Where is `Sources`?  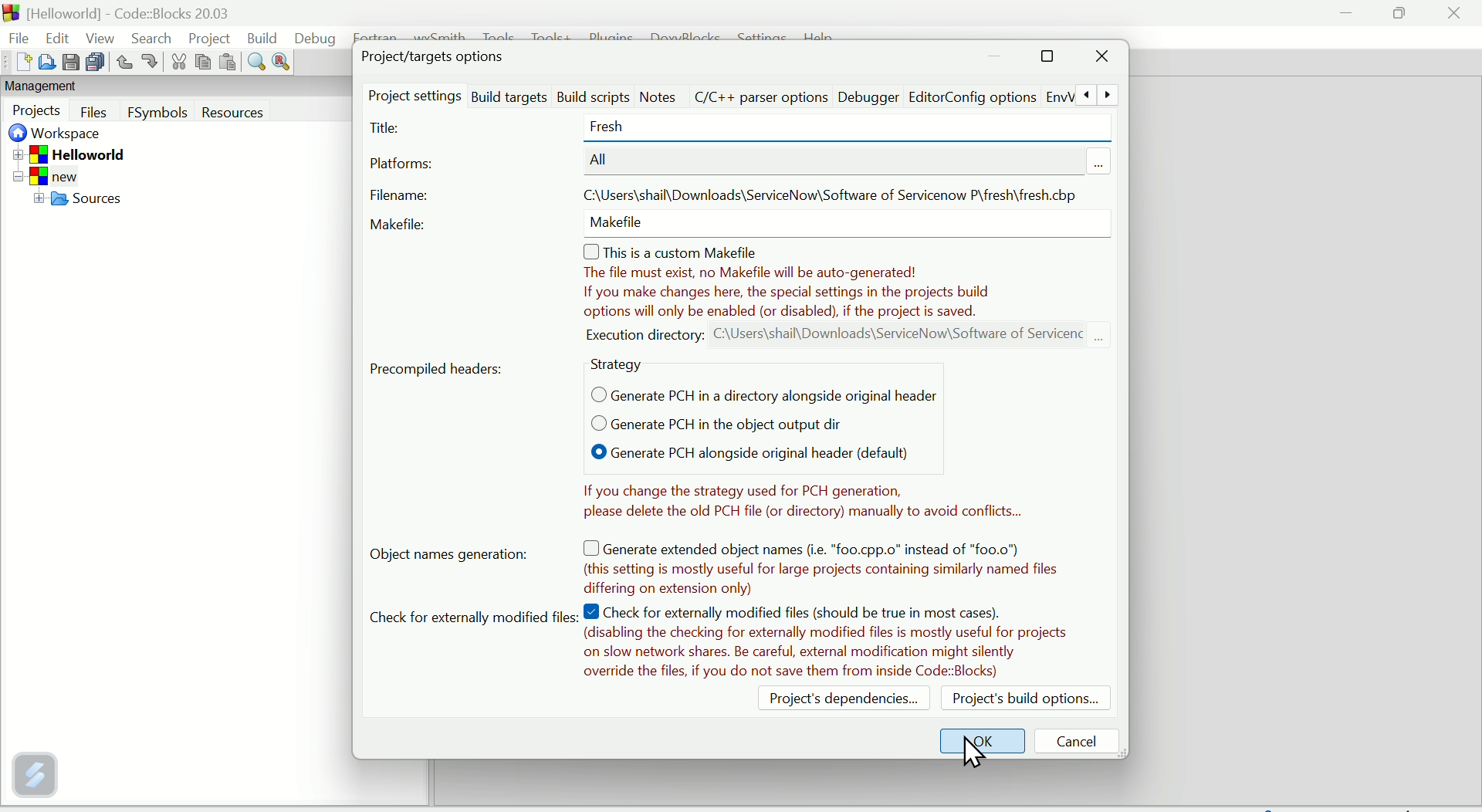 Sources is located at coordinates (102, 201).